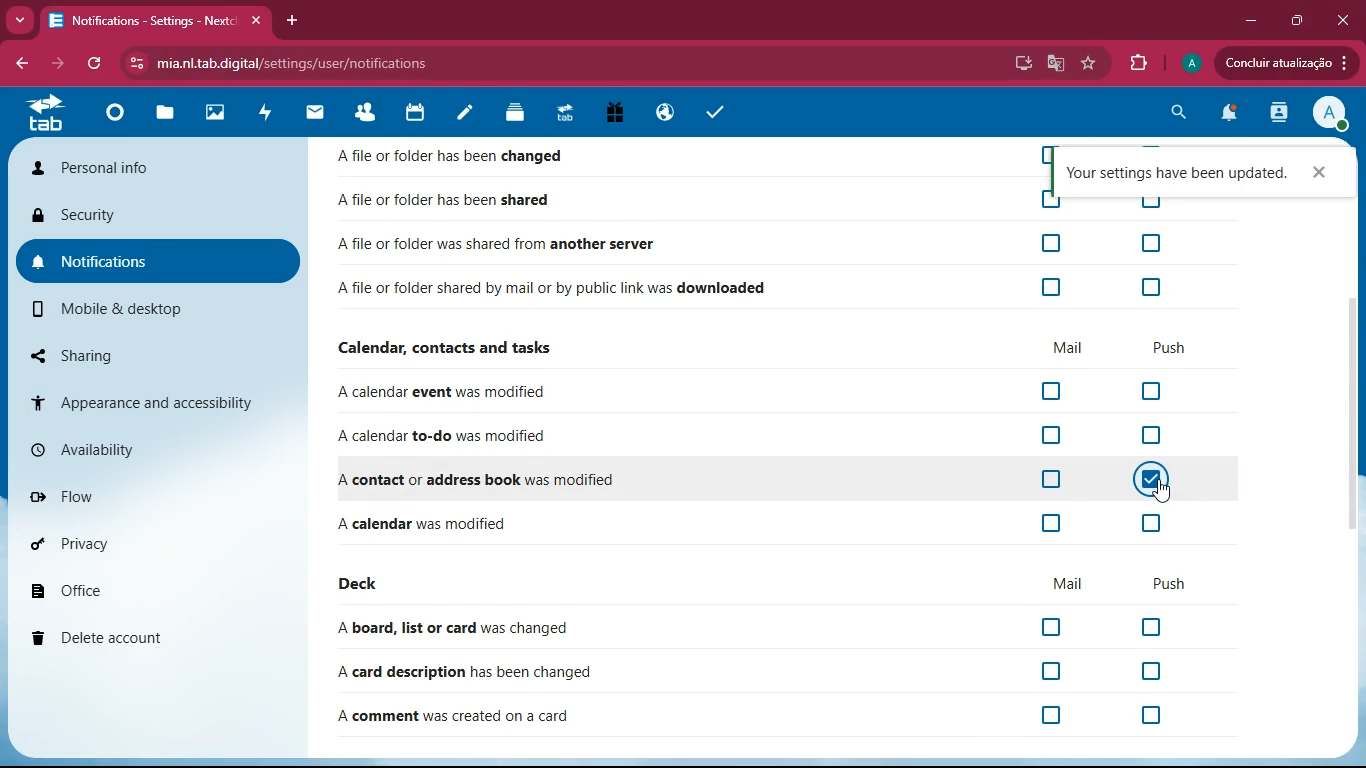 The width and height of the screenshot is (1366, 768). Describe the element at coordinates (157, 398) in the screenshot. I see `appearance and accessibility` at that location.